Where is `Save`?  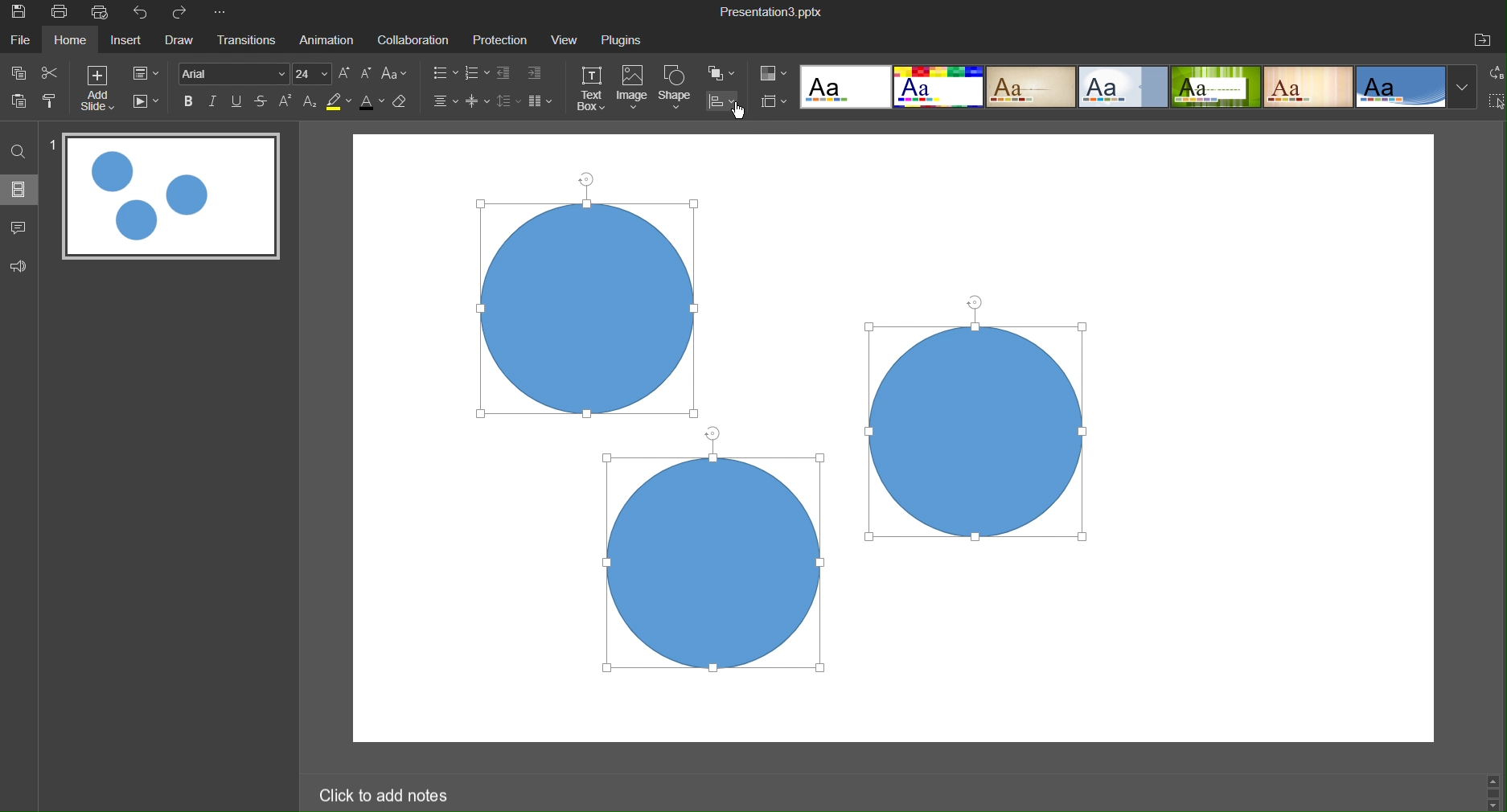 Save is located at coordinates (23, 15).